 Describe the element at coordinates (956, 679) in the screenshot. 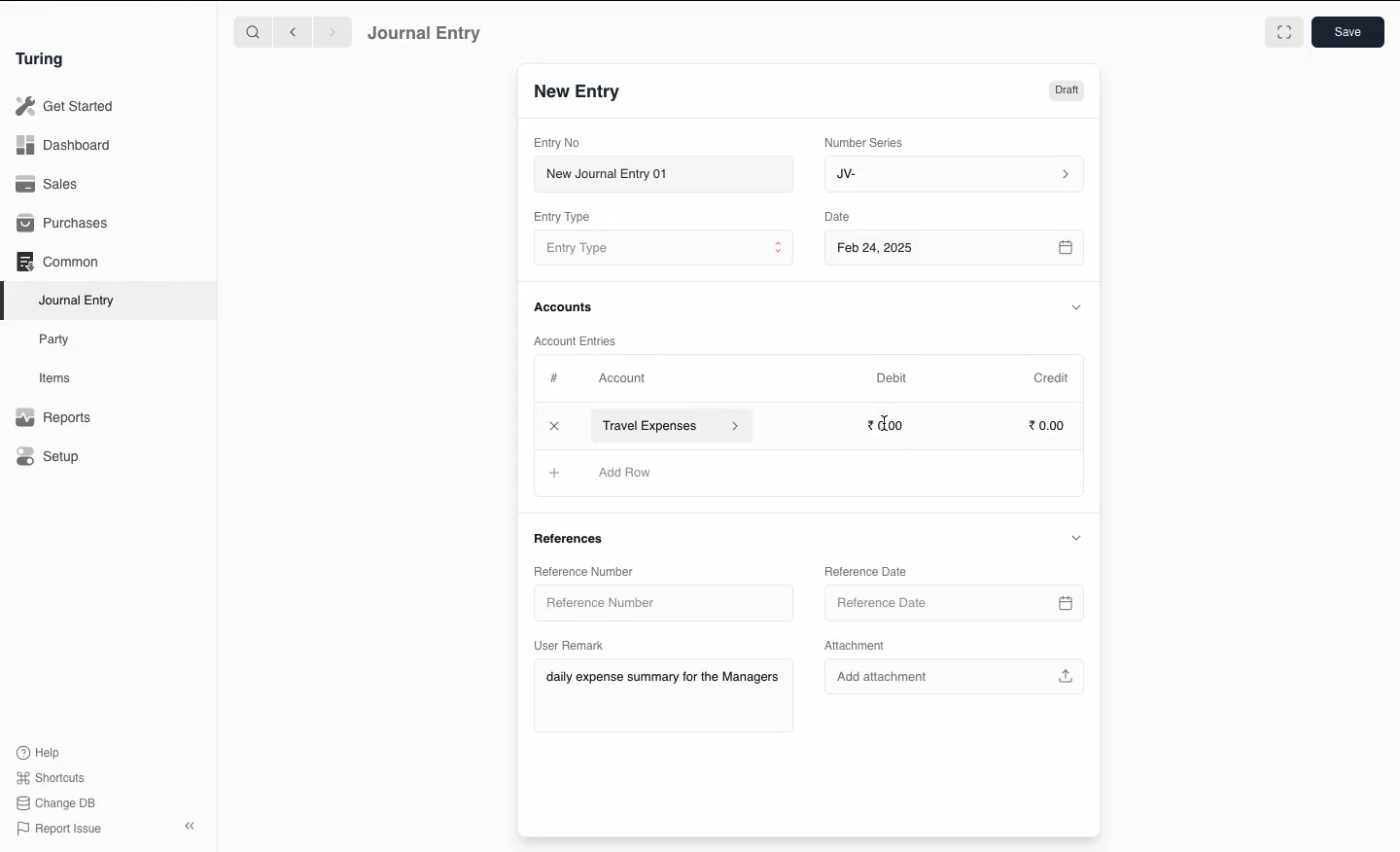

I see `Add attachment` at that location.